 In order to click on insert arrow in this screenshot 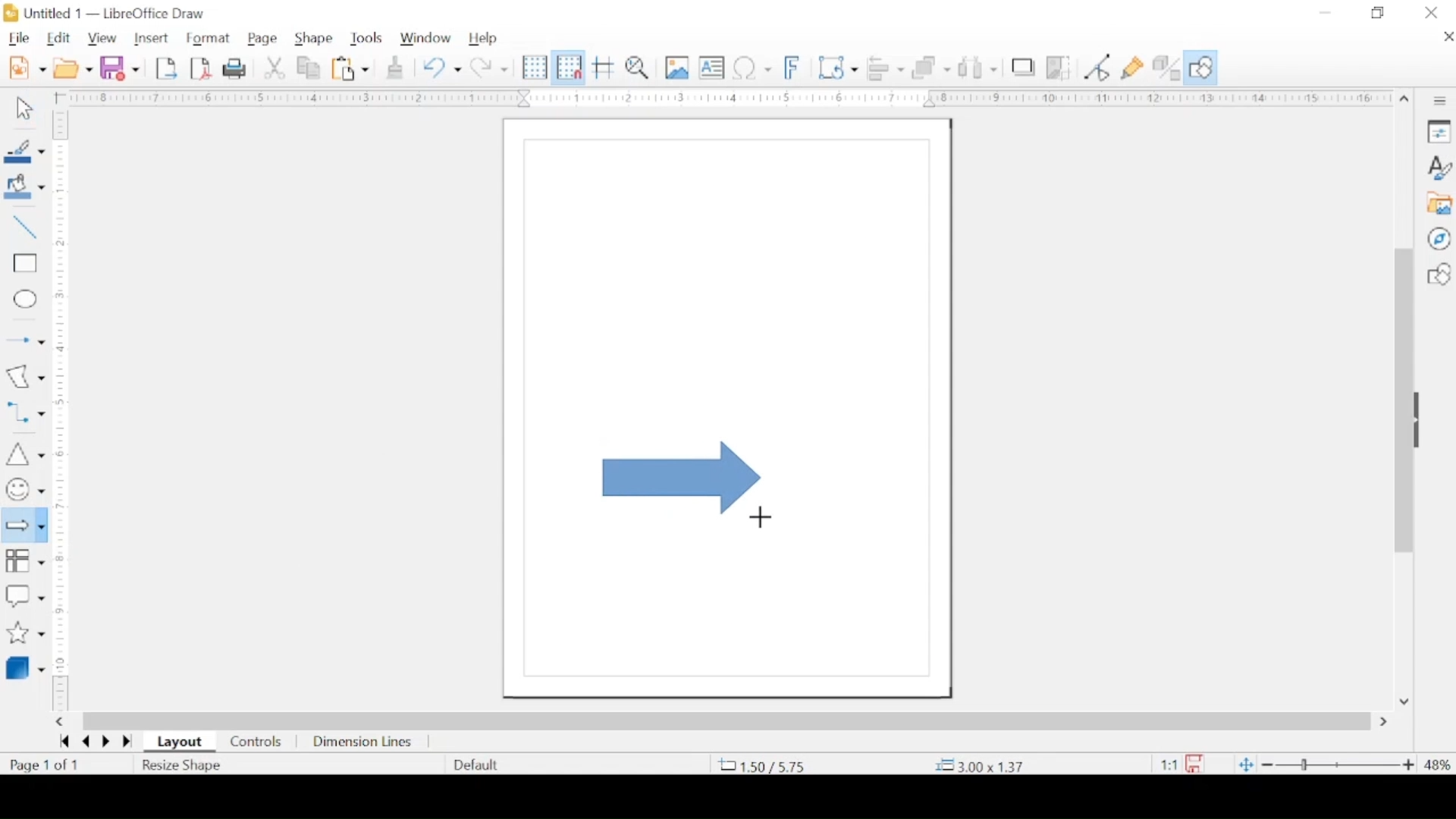, I will do `click(24, 340)`.